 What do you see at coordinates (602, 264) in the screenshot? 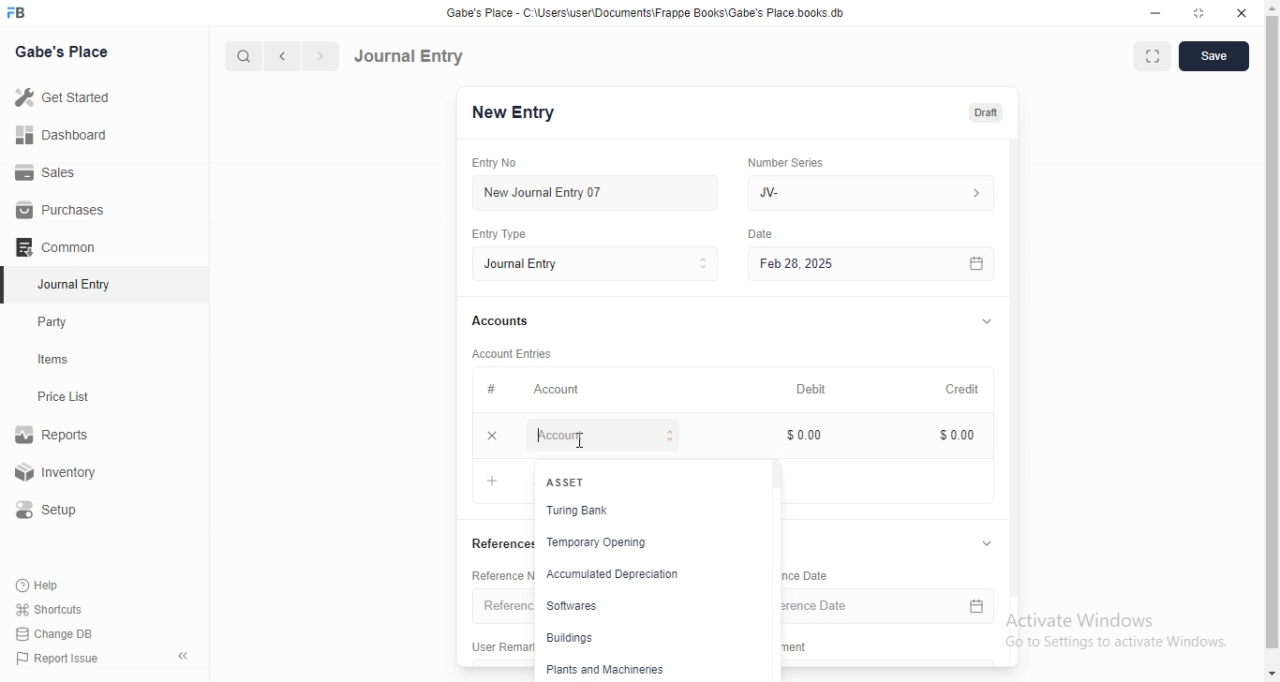
I see `Entry Type` at bounding box center [602, 264].